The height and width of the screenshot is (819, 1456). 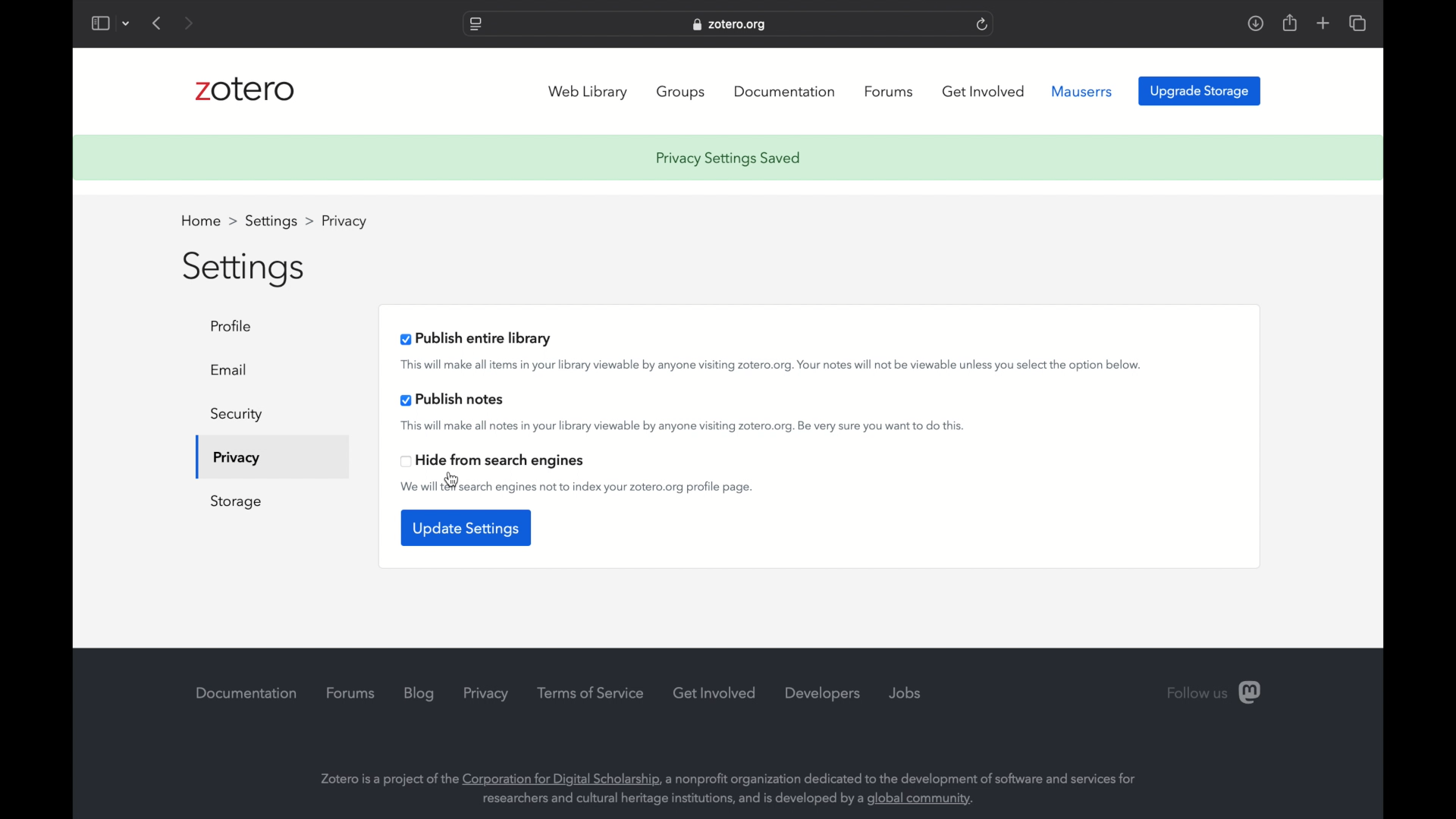 I want to click on mauserrs, so click(x=1084, y=92).